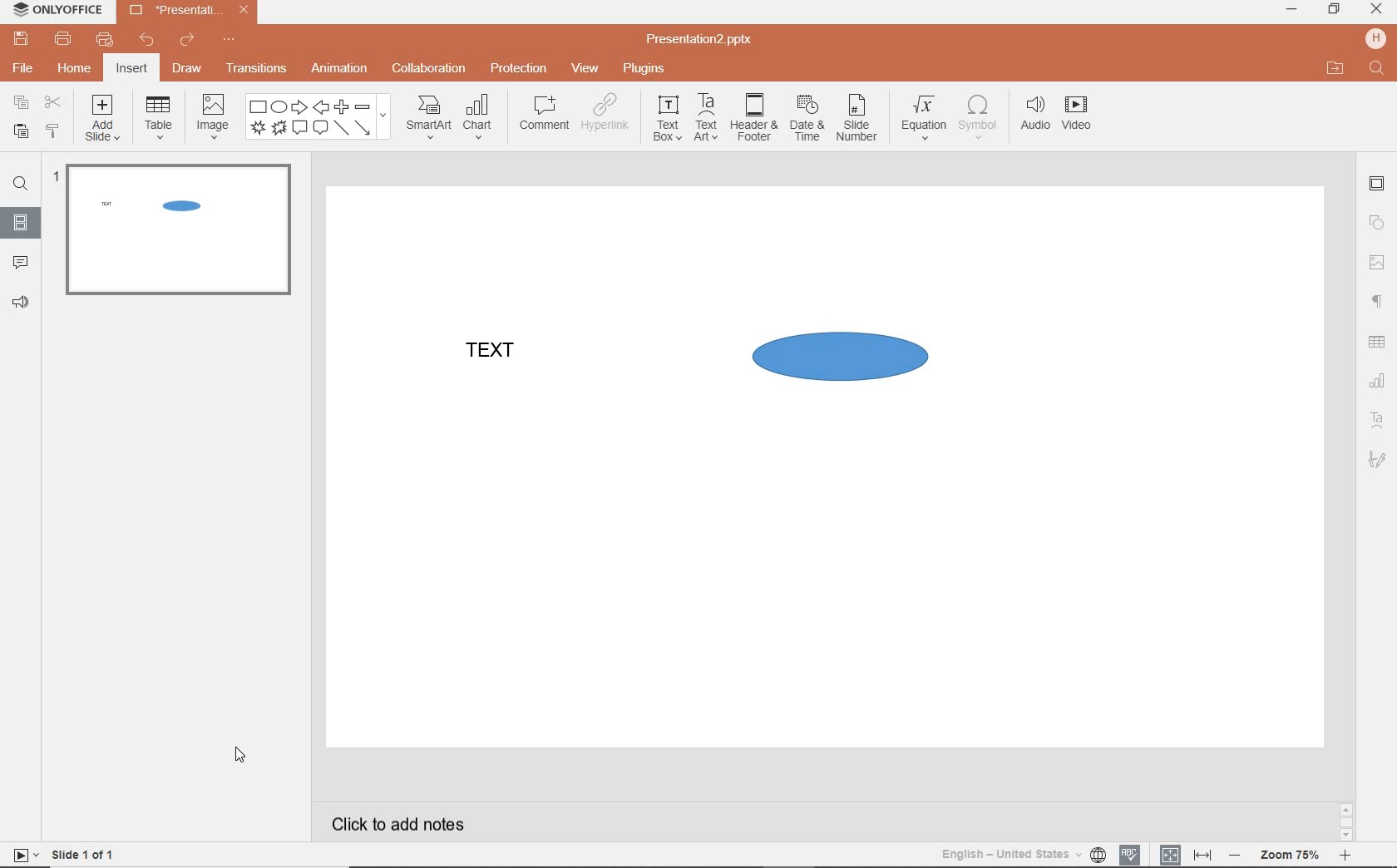 The image size is (1397, 868). Describe the element at coordinates (53, 104) in the screenshot. I see `cut` at that location.